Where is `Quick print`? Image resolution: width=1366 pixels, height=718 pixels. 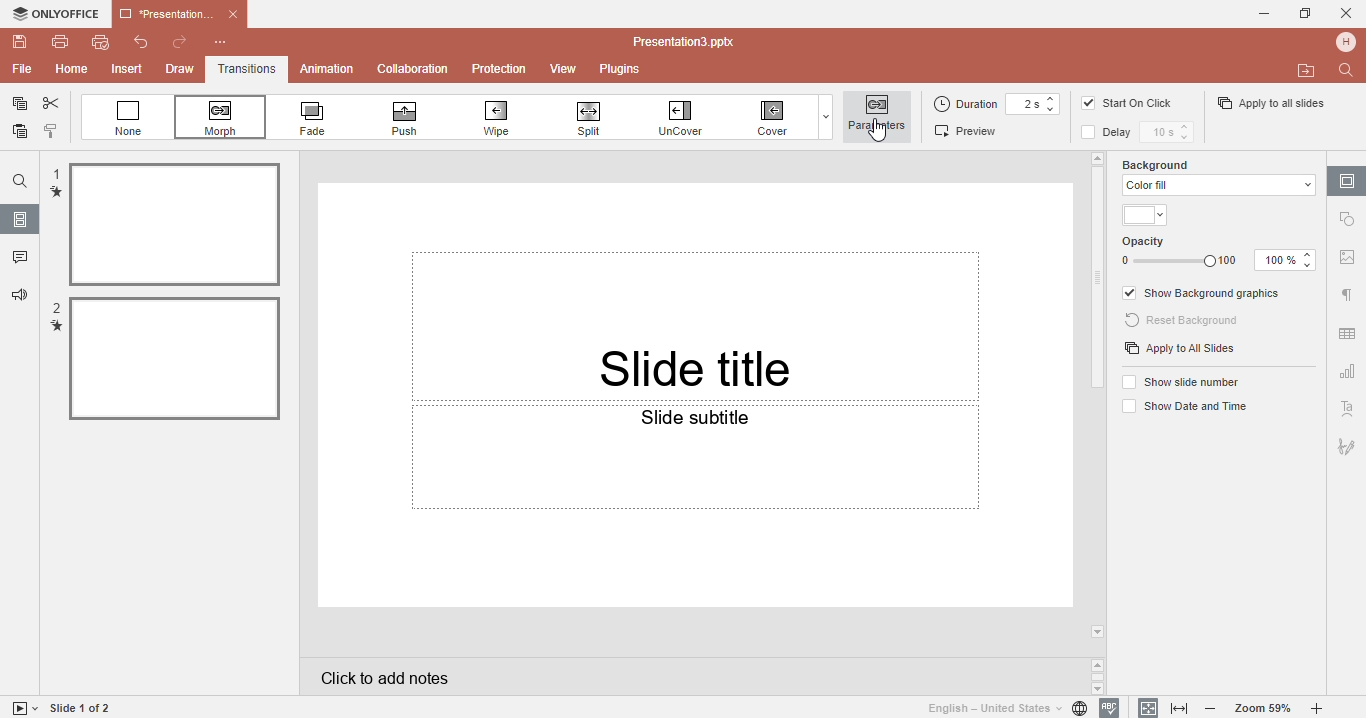
Quick print is located at coordinates (99, 45).